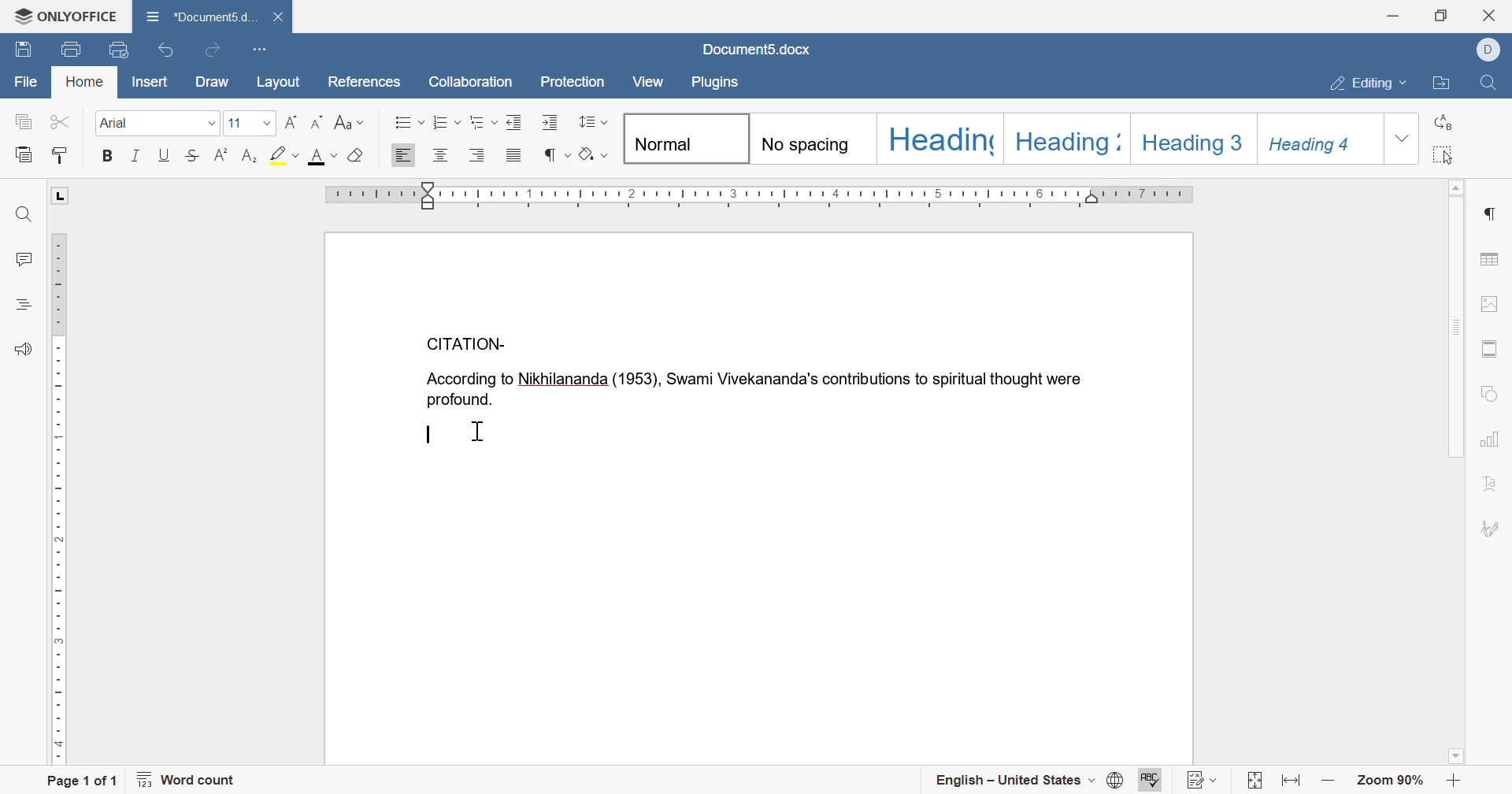 Image resolution: width=1512 pixels, height=794 pixels. What do you see at coordinates (24, 156) in the screenshot?
I see `paste` at bounding box center [24, 156].